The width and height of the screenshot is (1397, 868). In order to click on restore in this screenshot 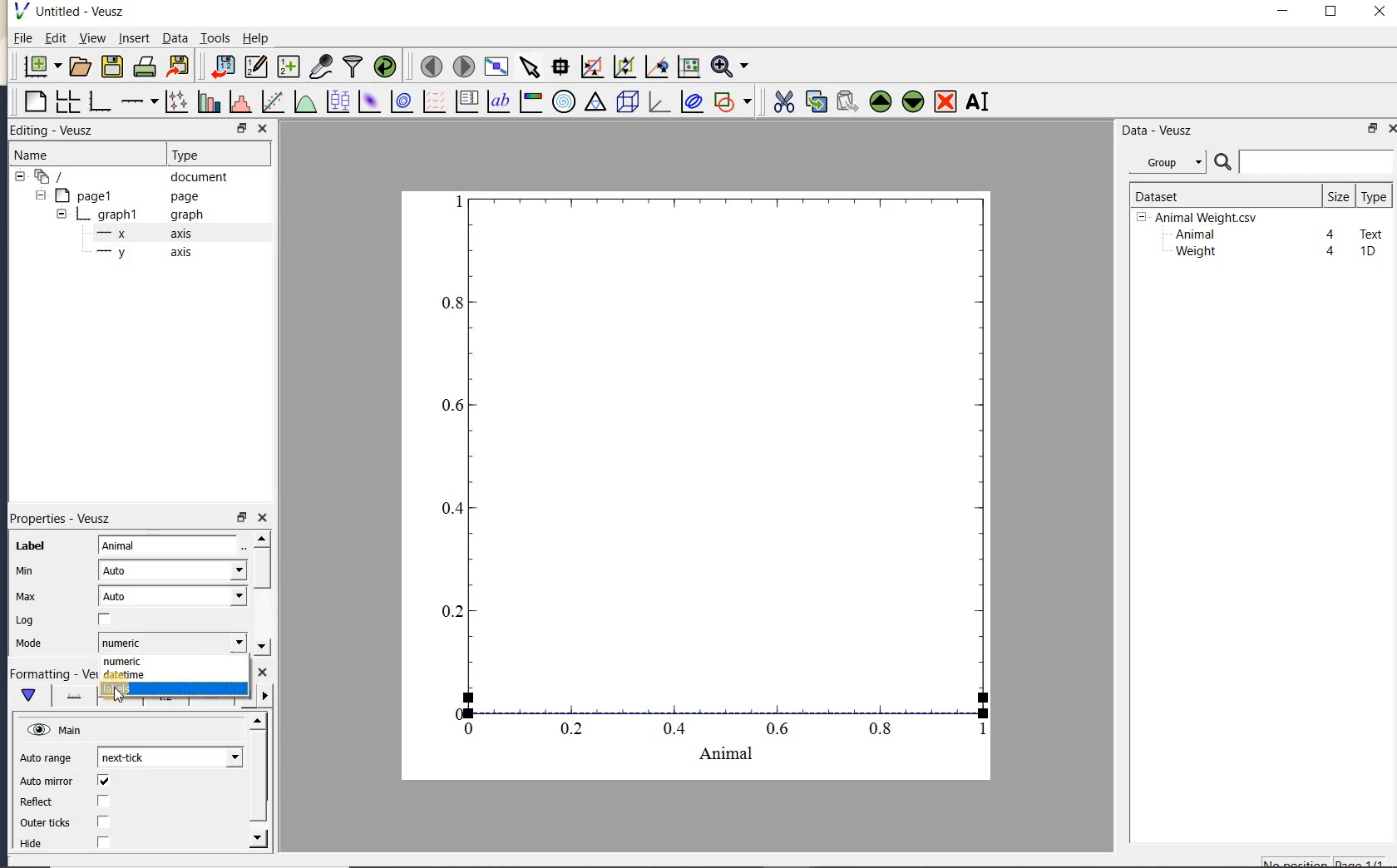, I will do `click(240, 518)`.